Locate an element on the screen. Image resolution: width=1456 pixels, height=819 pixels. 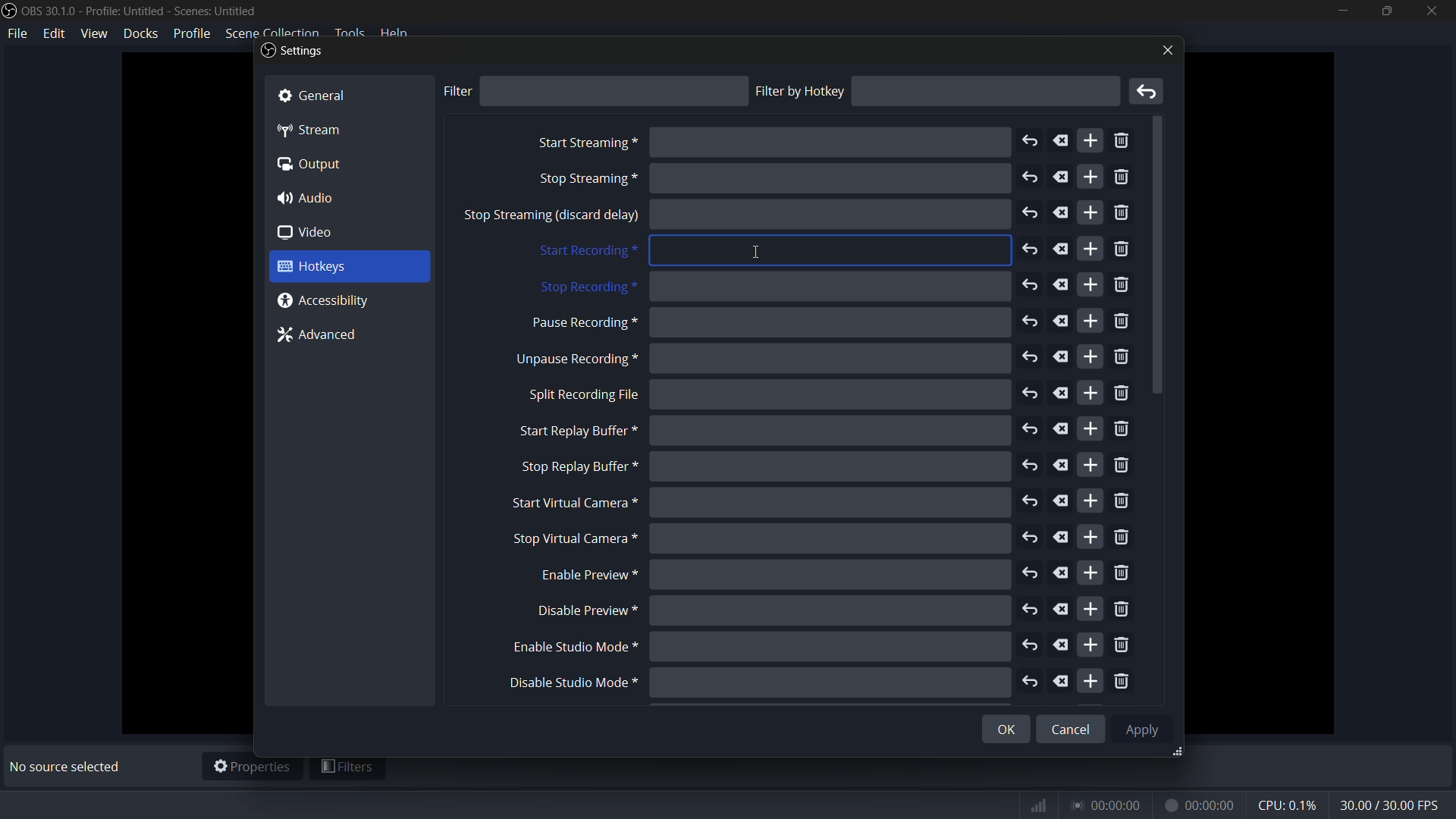
Settings is located at coordinates (292, 52).